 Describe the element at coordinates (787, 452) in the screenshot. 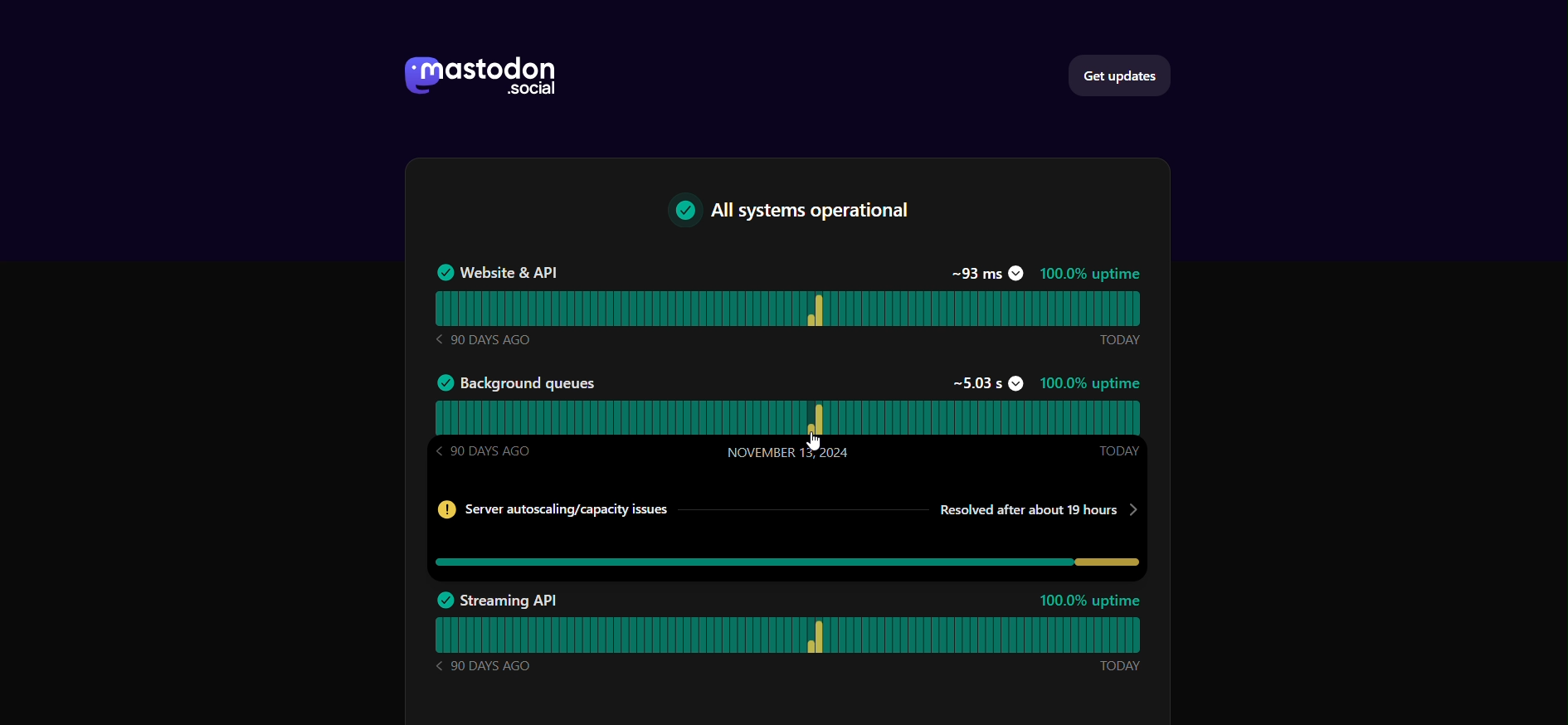

I see `November 13, 2024` at that location.